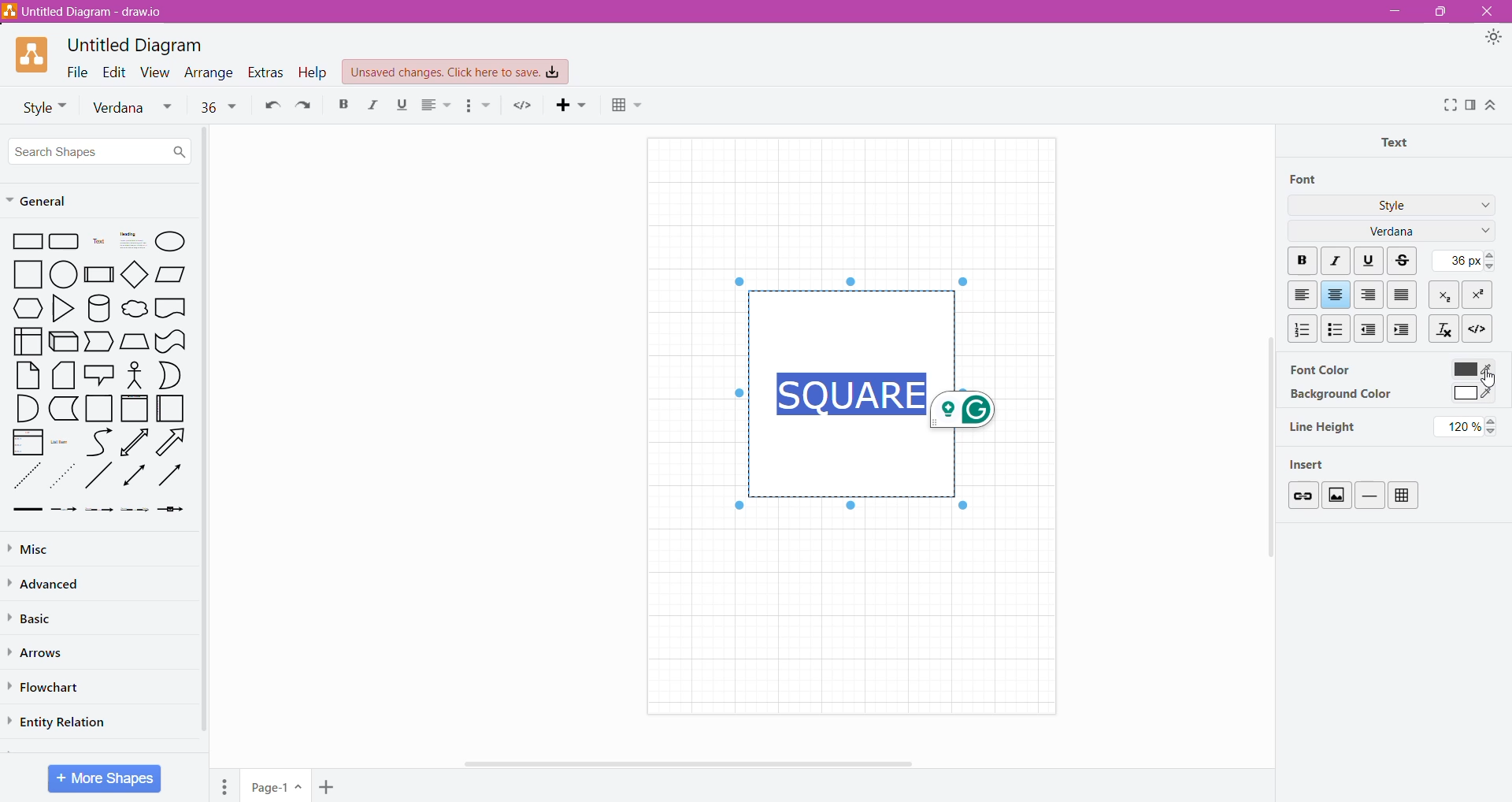 The width and height of the screenshot is (1512, 802). I want to click on Unsaved Changes. Click here to save, so click(456, 72).